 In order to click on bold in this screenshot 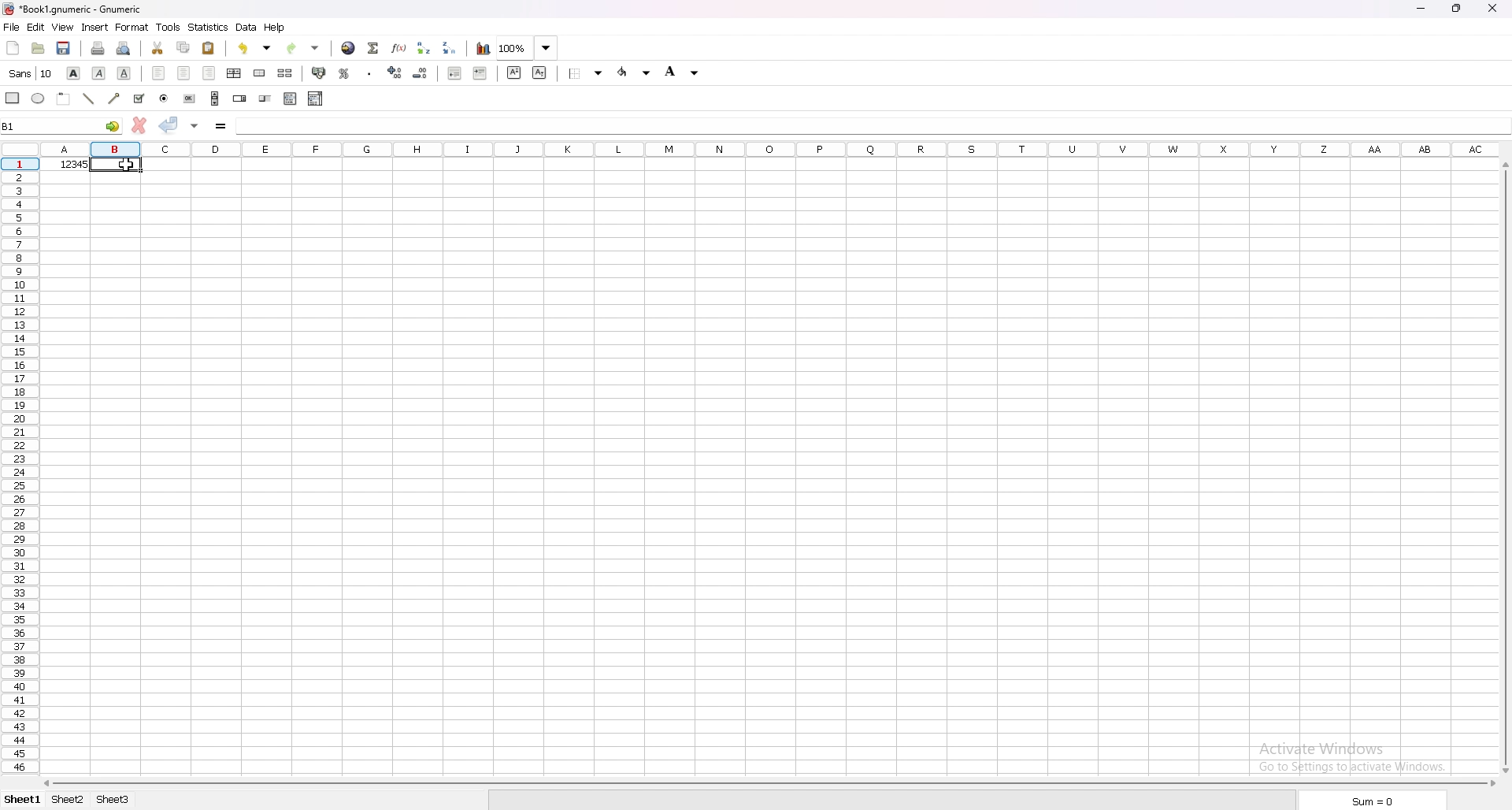, I will do `click(73, 72)`.